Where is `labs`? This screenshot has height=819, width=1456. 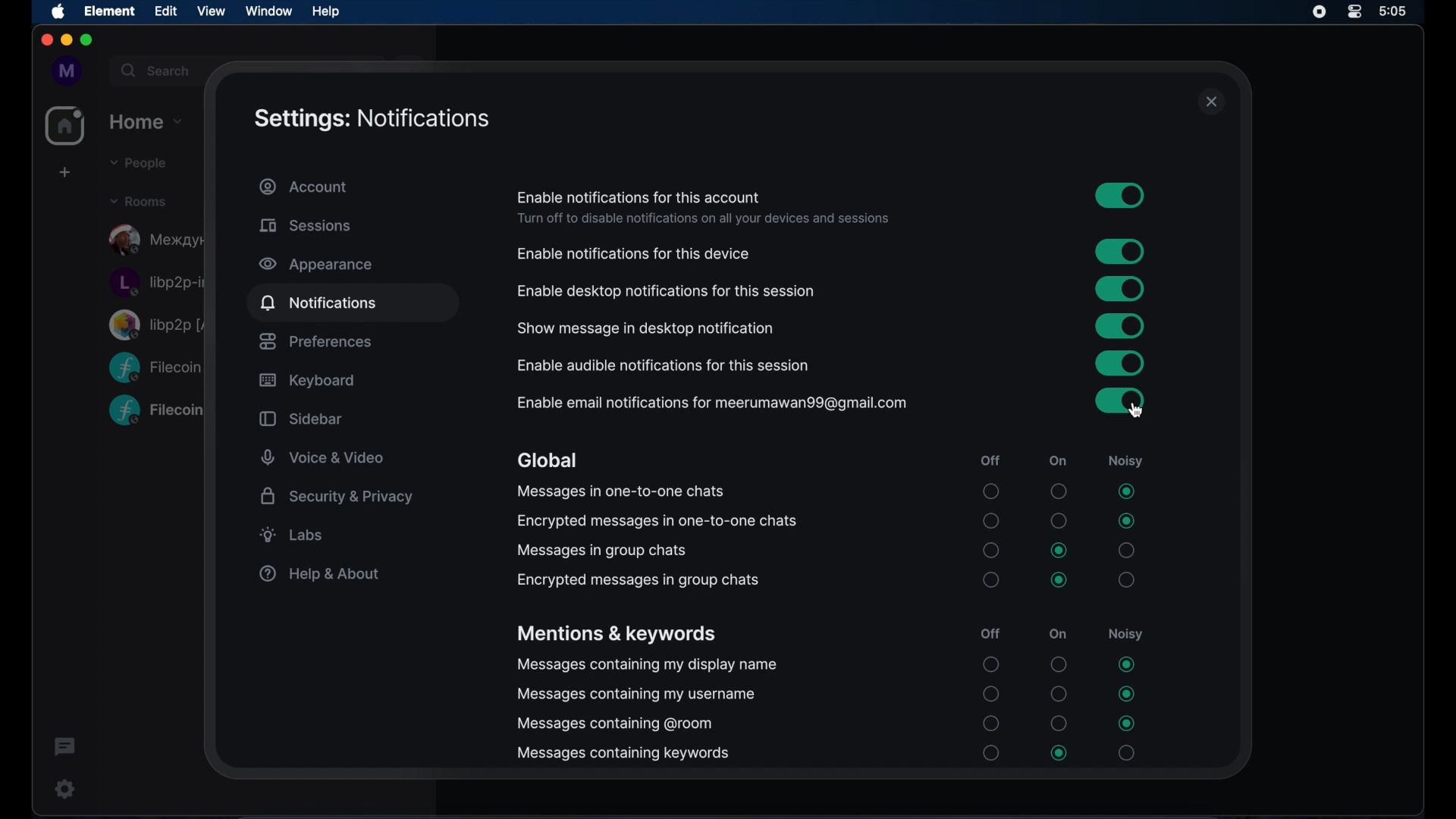 labs is located at coordinates (292, 535).